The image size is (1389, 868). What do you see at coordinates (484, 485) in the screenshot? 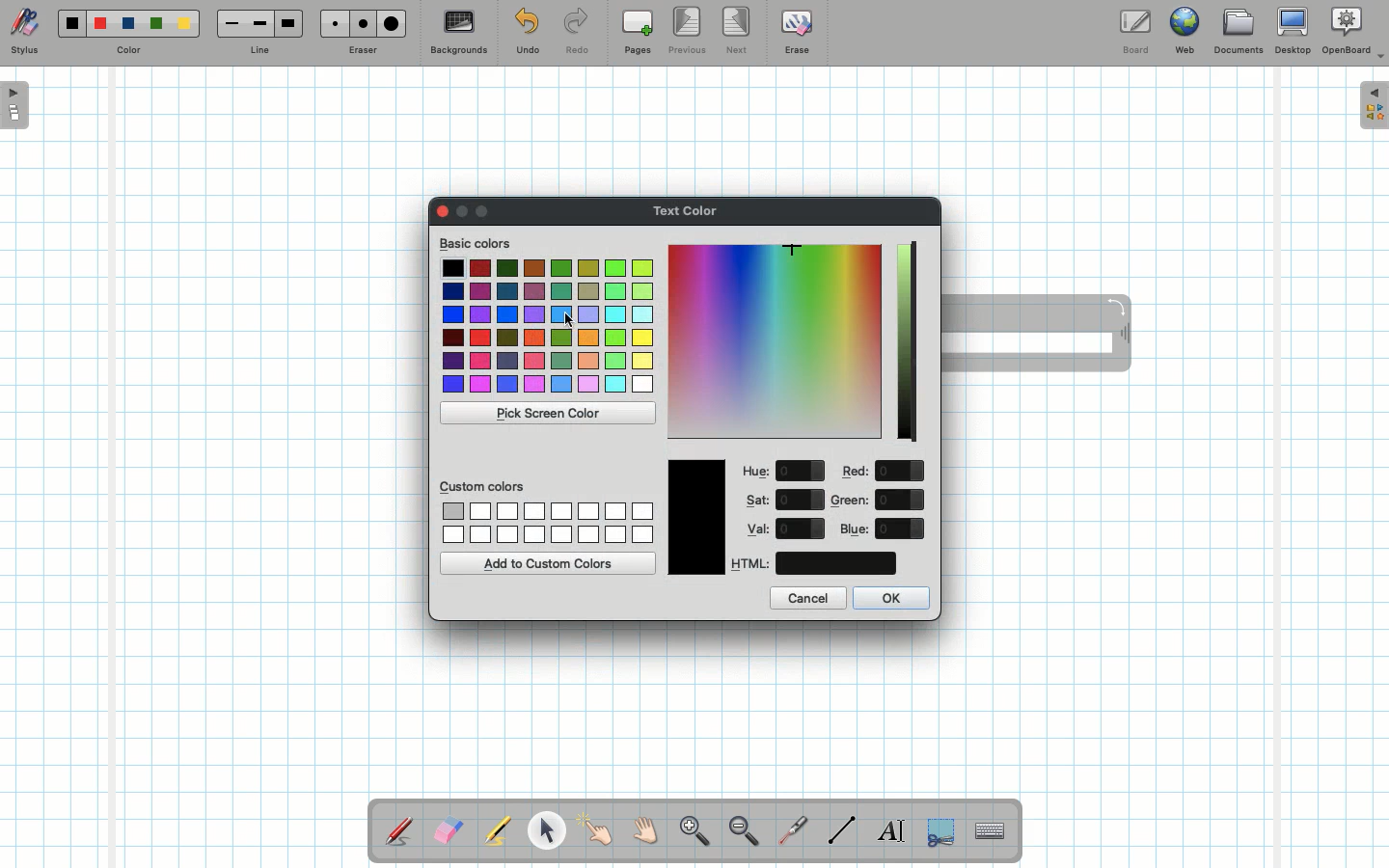
I see `Custom colors` at bounding box center [484, 485].